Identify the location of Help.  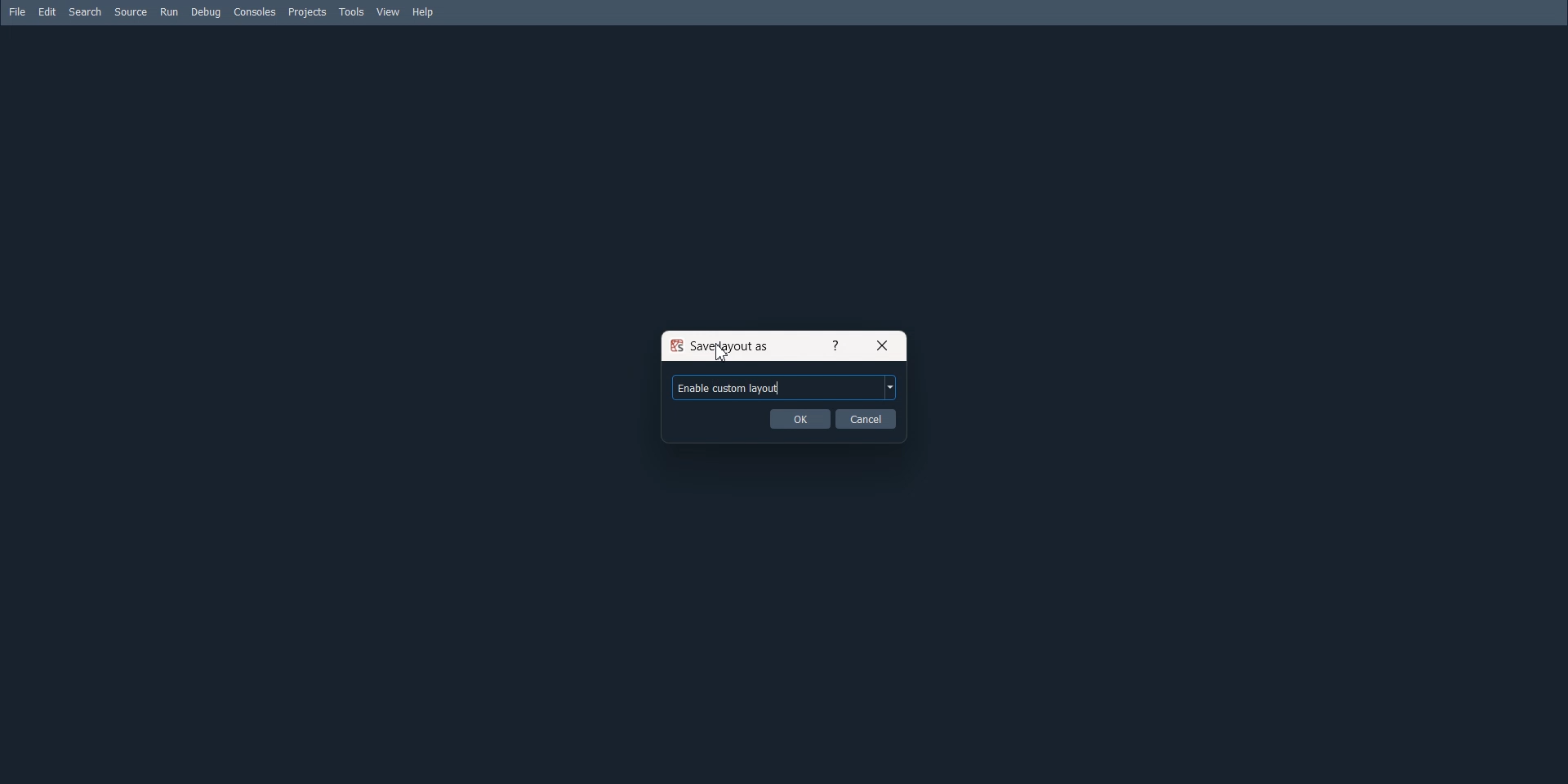
(425, 13).